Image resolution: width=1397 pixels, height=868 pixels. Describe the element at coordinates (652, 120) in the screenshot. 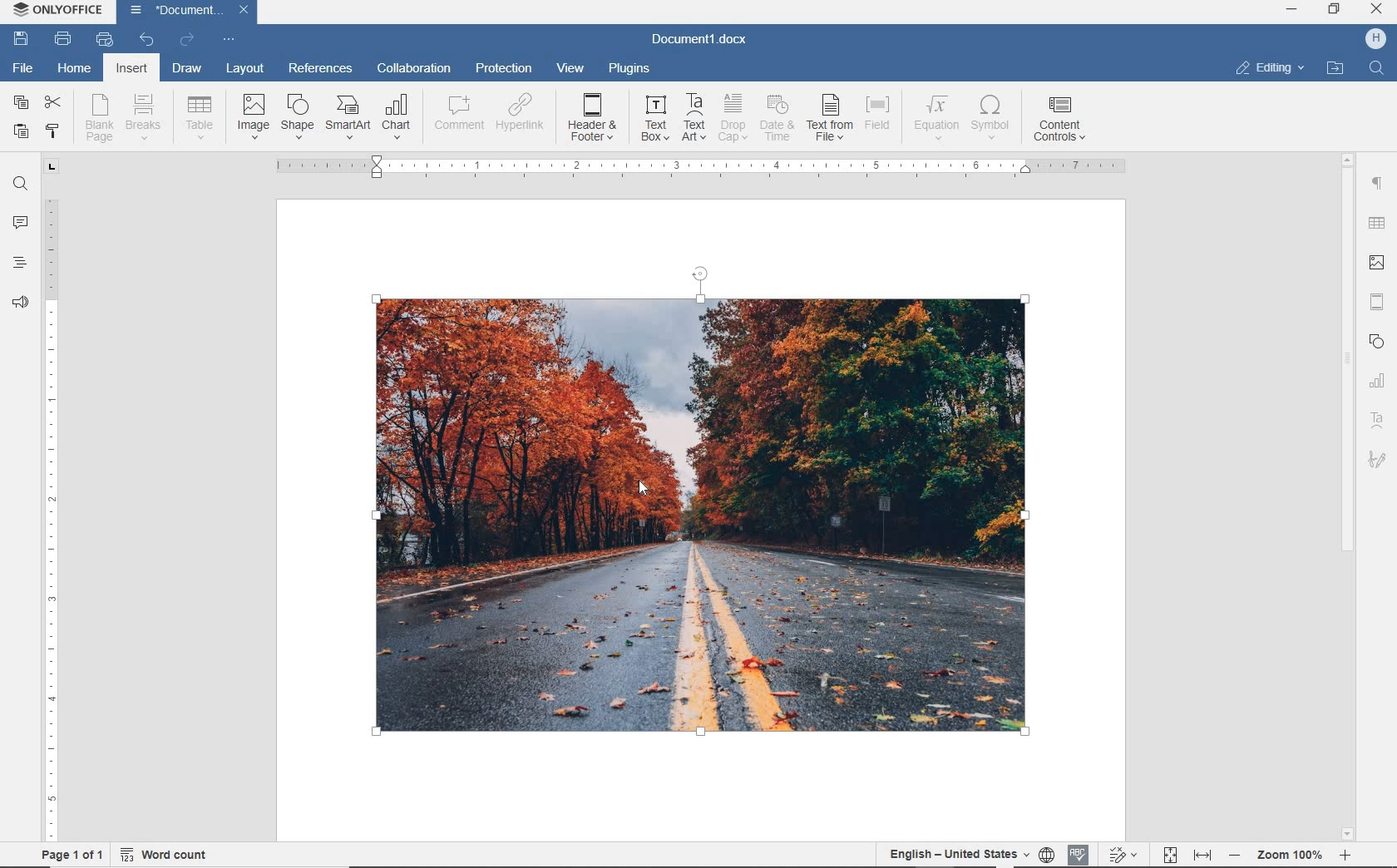

I see `text box` at that location.